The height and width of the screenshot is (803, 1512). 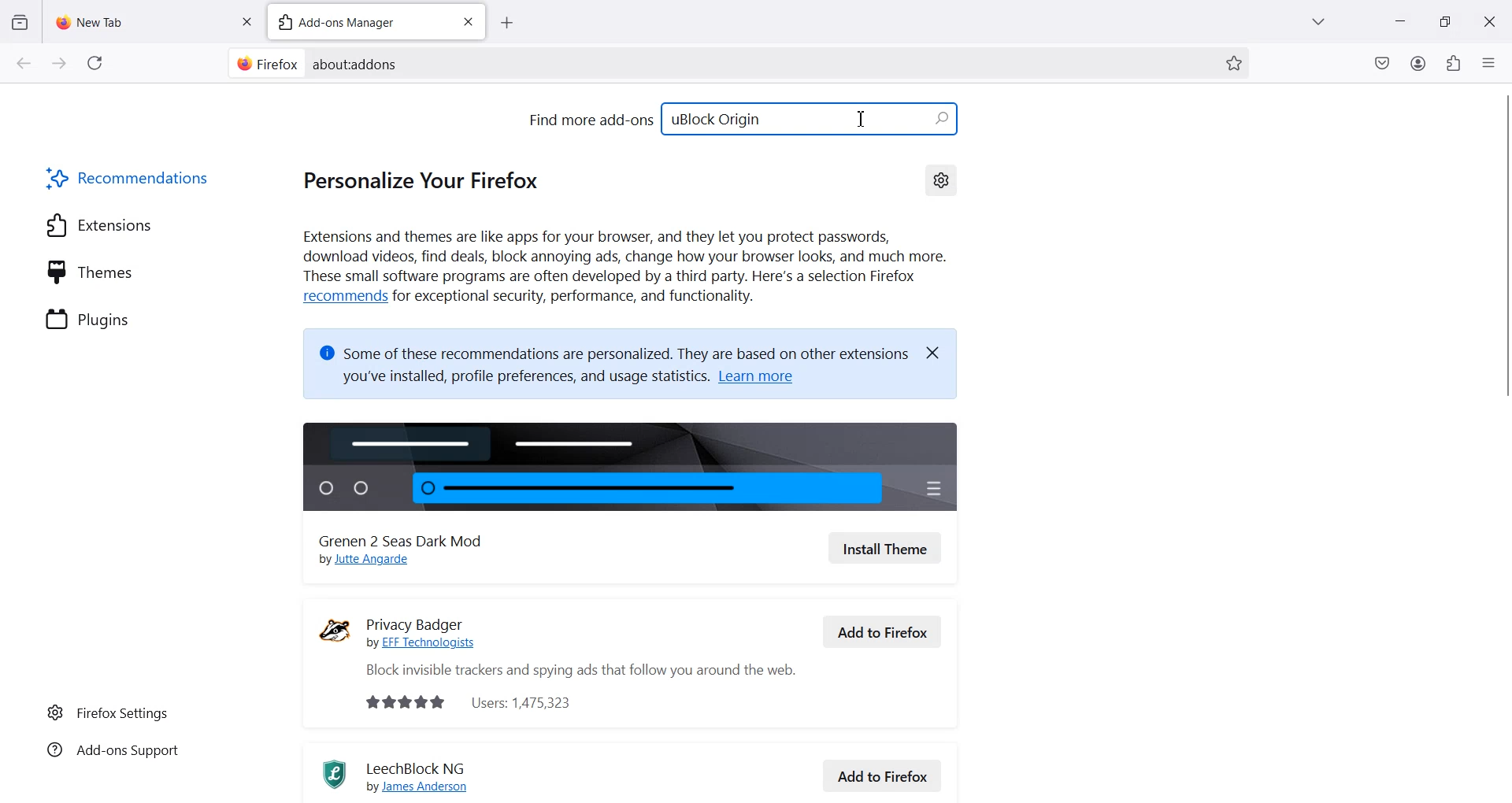 I want to click on Personalize your Firefox, so click(x=430, y=179).